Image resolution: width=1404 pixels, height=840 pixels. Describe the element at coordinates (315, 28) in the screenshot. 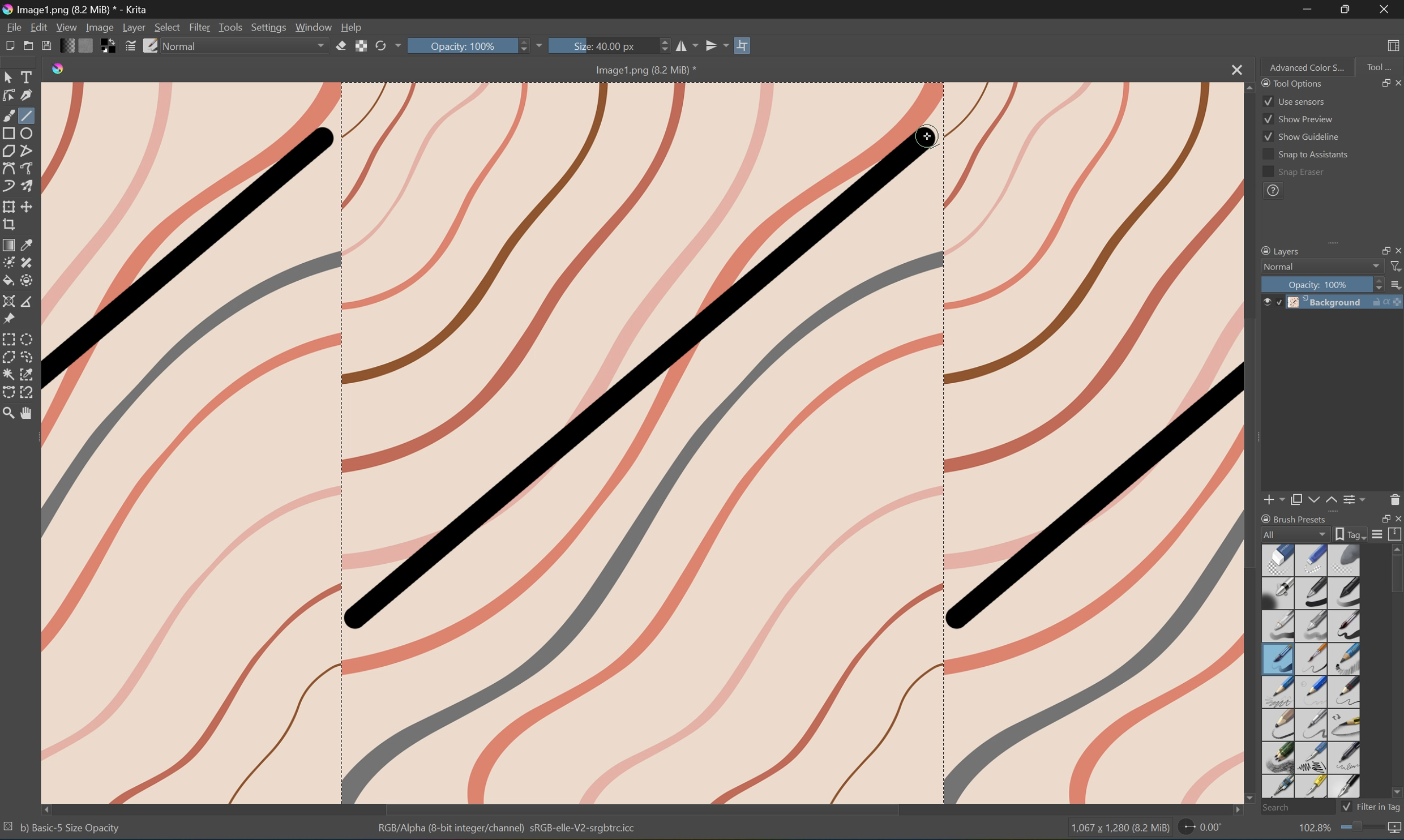

I see `Window` at that location.